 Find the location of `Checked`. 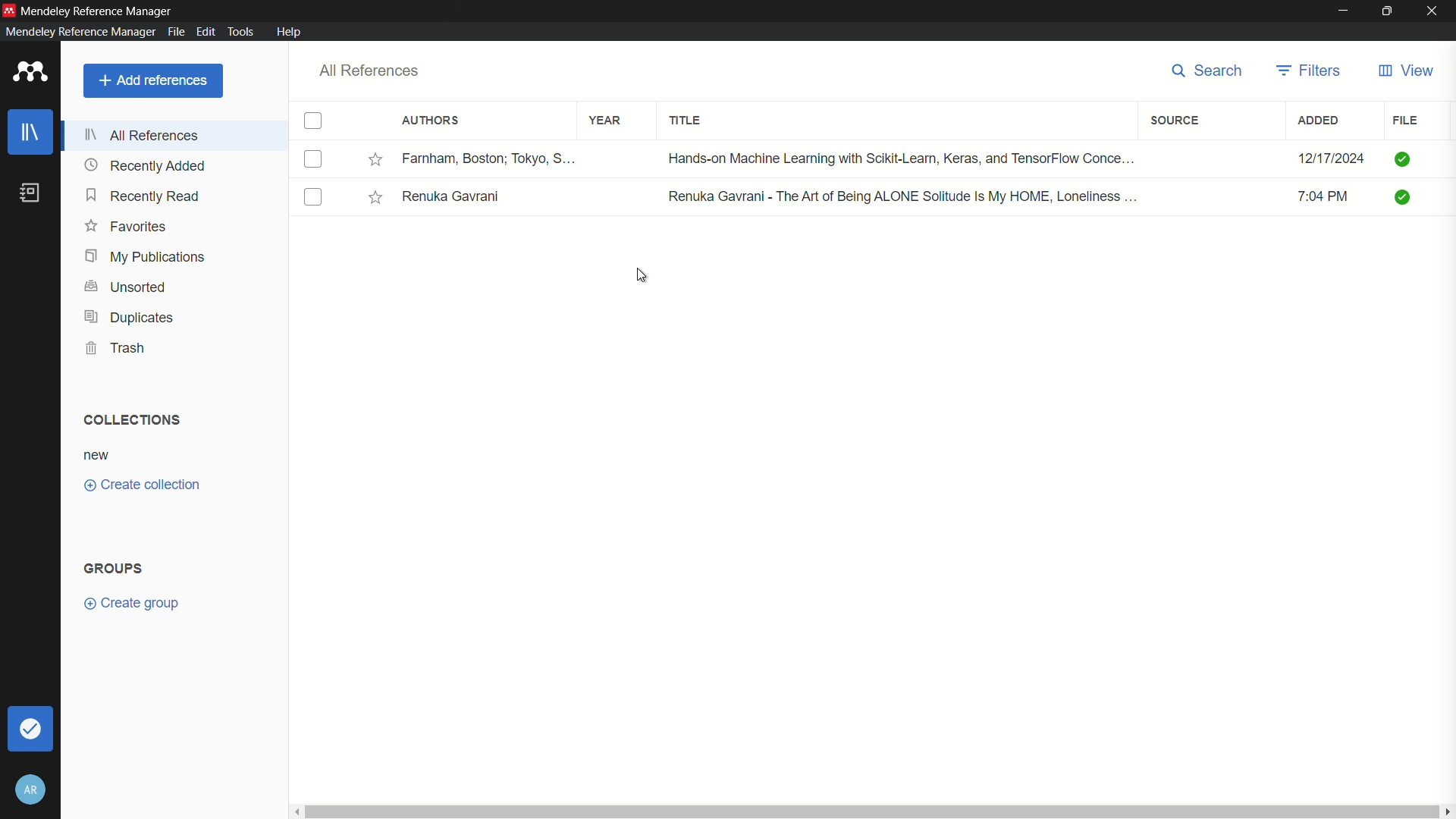

Checked is located at coordinates (1401, 161).